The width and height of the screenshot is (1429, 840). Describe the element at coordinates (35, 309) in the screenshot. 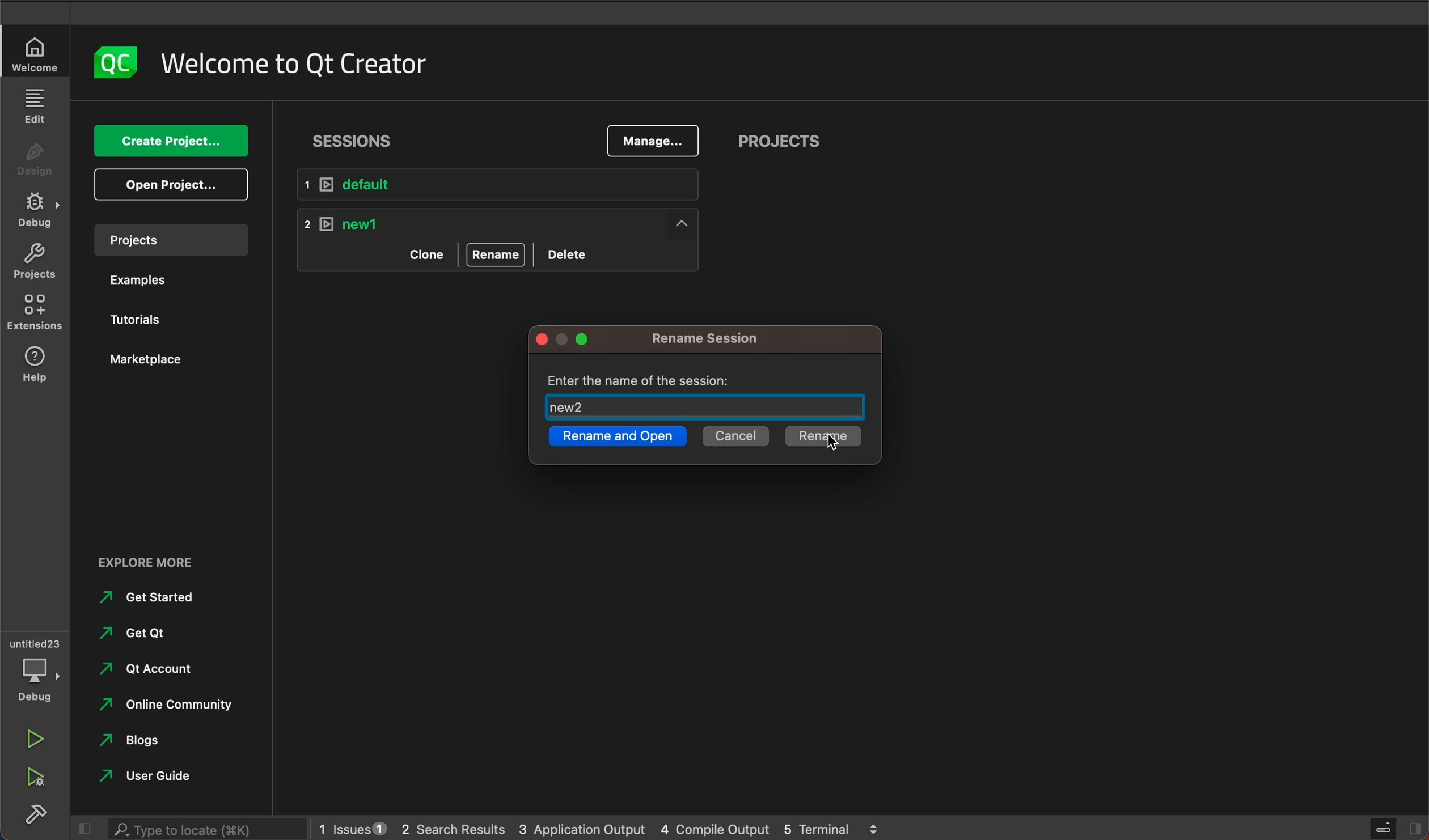

I see `extension` at that location.